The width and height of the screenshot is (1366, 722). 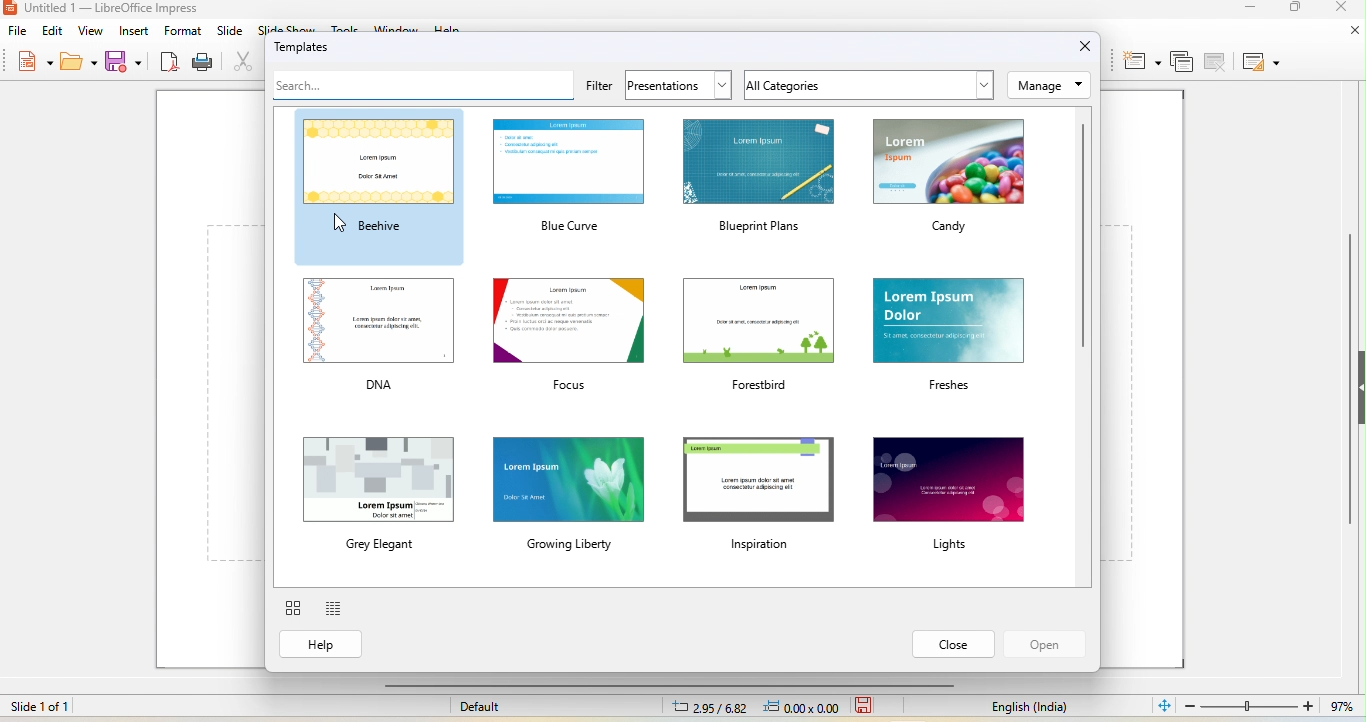 What do you see at coordinates (1087, 45) in the screenshot?
I see `close` at bounding box center [1087, 45].